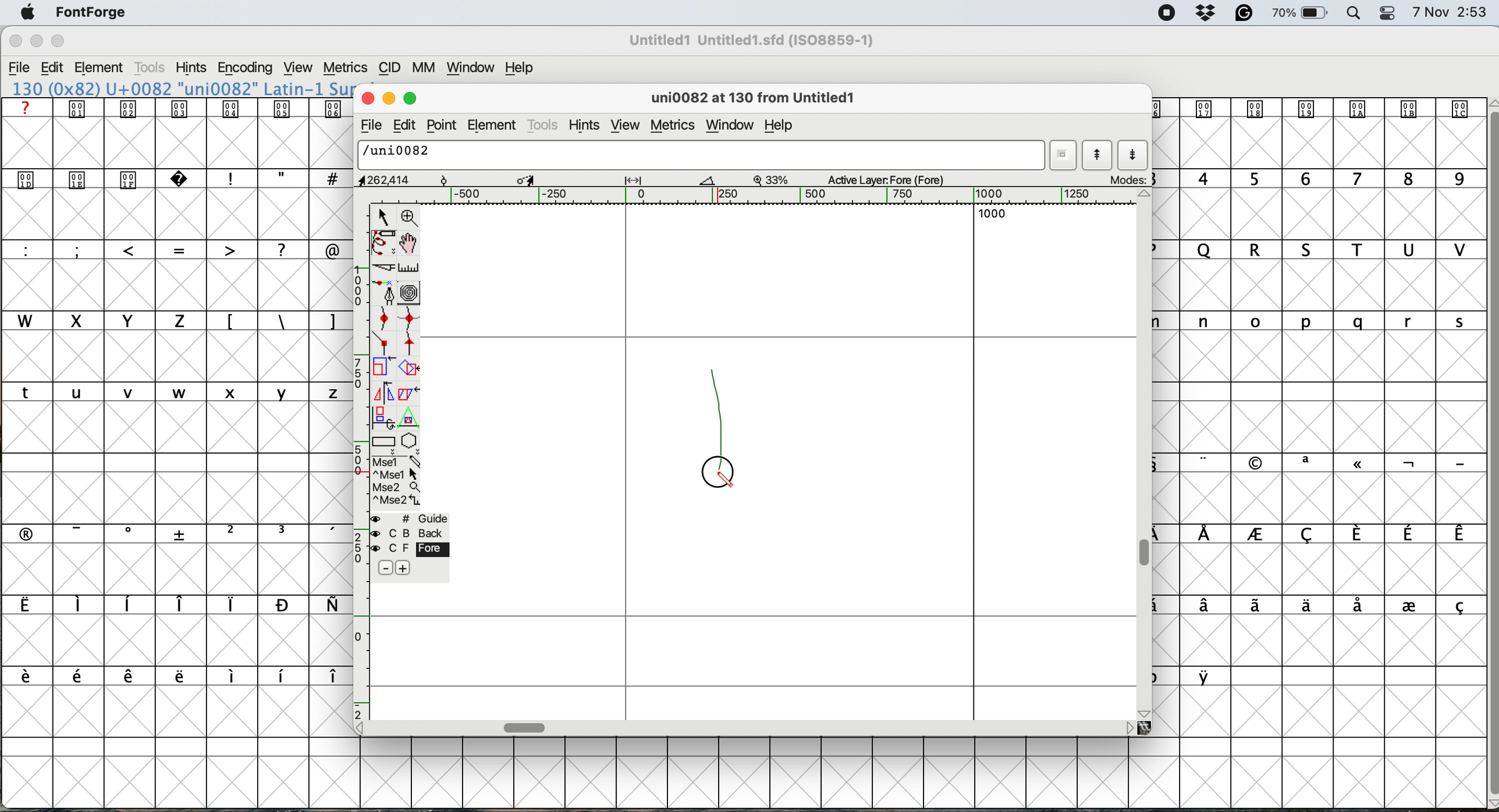  Describe the element at coordinates (411, 346) in the screenshot. I see `add a tangent point` at that location.